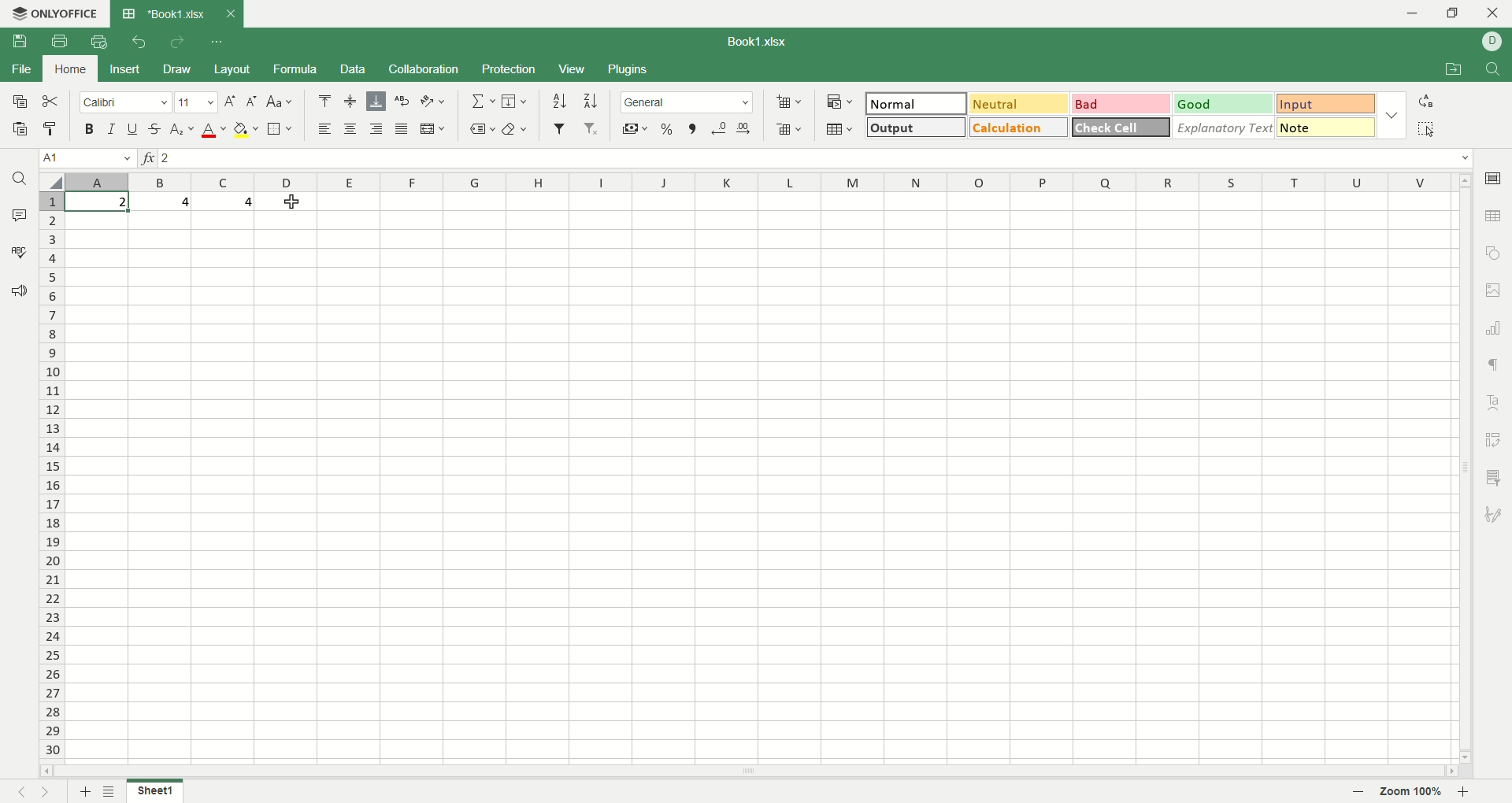  Describe the element at coordinates (111, 791) in the screenshot. I see `sheet list` at that location.